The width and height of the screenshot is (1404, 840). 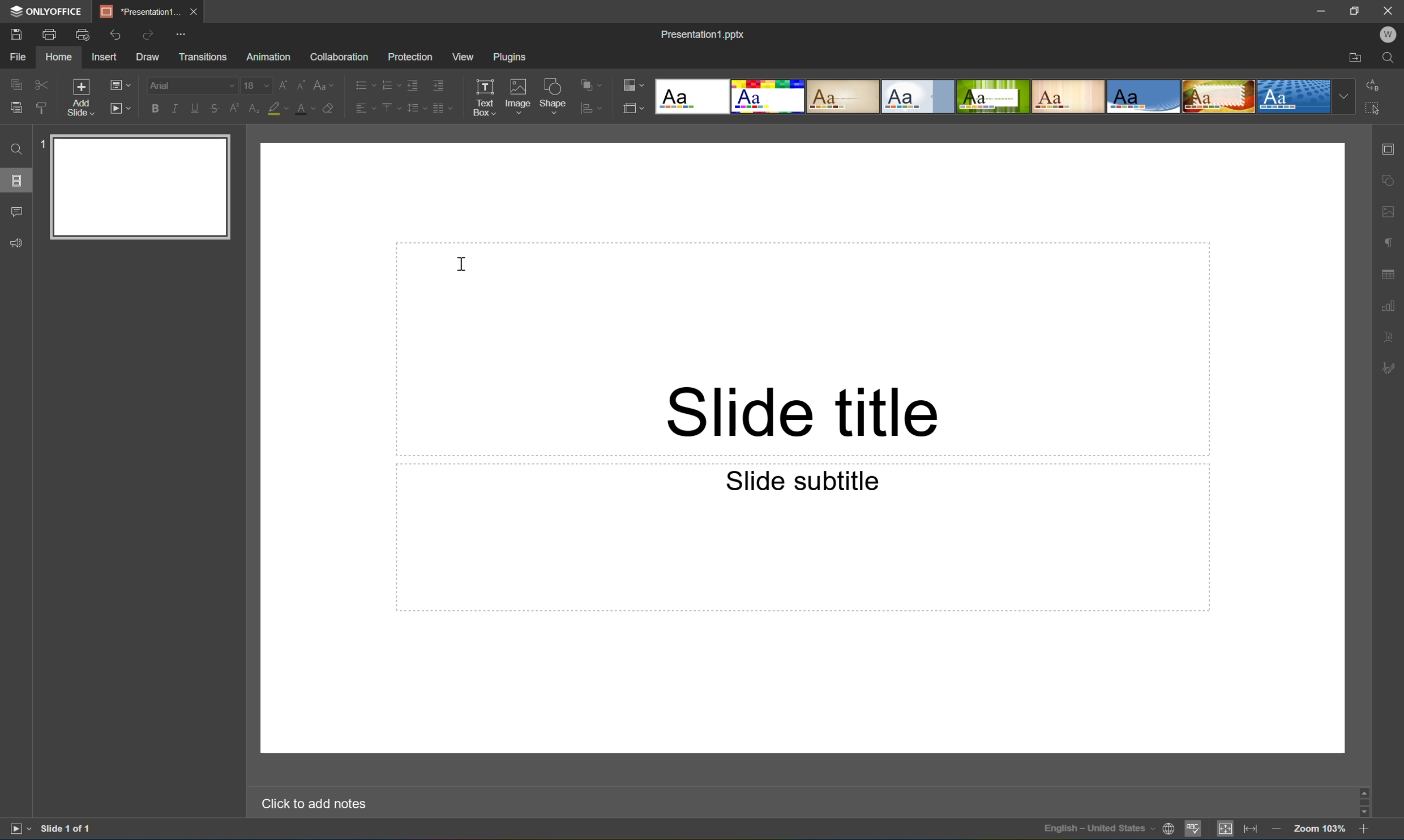 I want to click on Slides, so click(x=14, y=181).